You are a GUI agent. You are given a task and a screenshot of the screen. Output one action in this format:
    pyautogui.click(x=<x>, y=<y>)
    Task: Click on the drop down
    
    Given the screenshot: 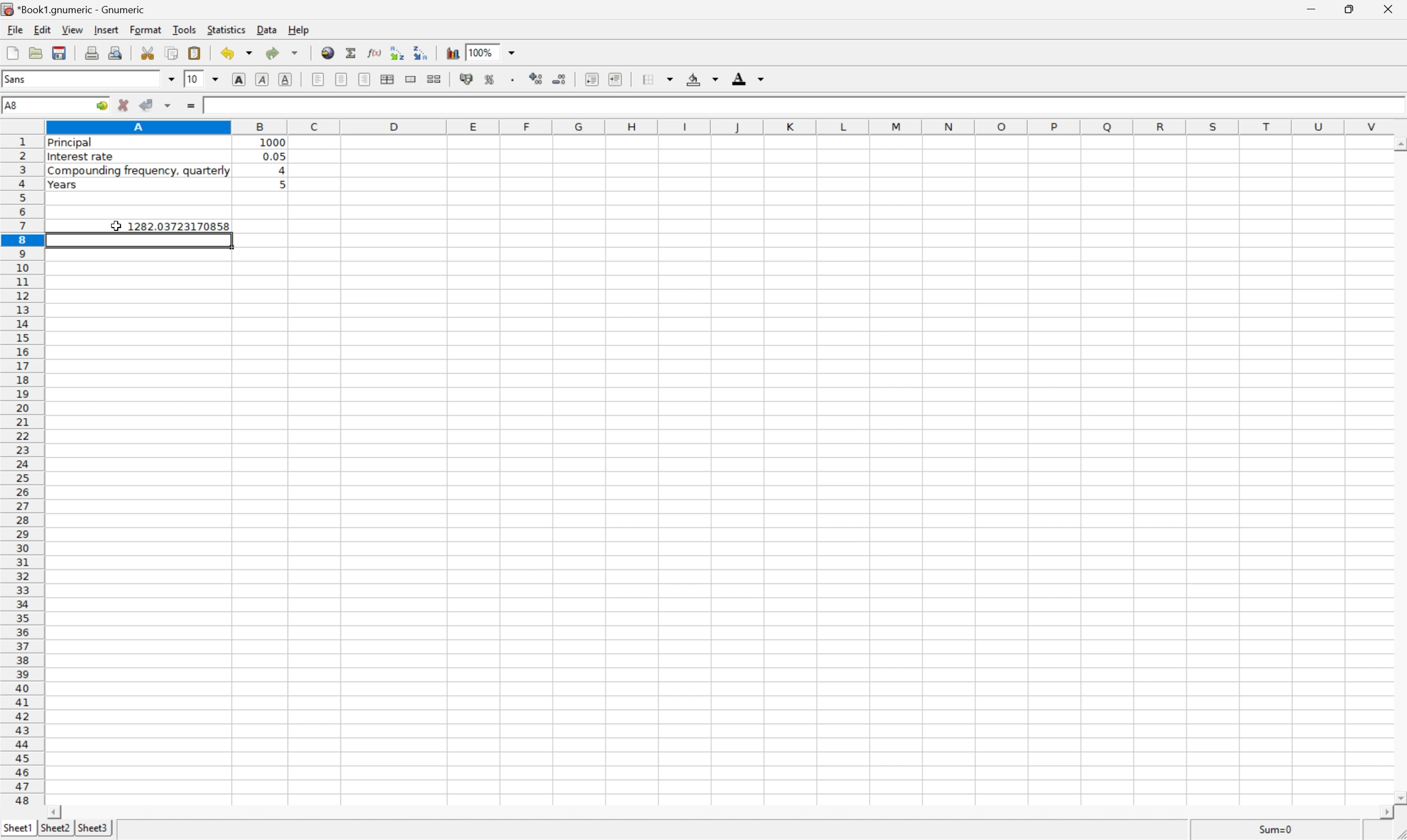 What is the action you would take?
    pyautogui.click(x=169, y=79)
    